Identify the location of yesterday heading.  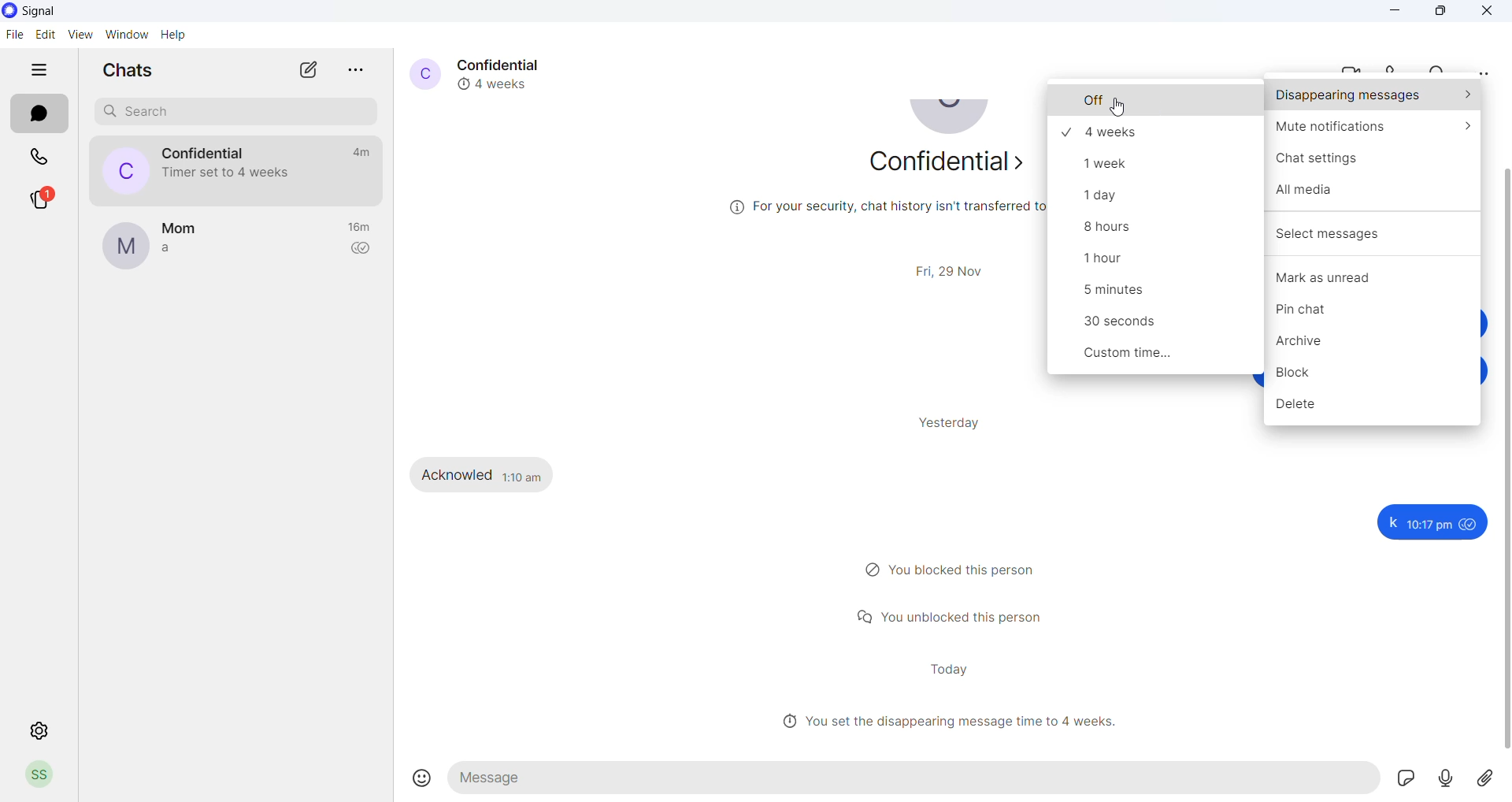
(958, 422).